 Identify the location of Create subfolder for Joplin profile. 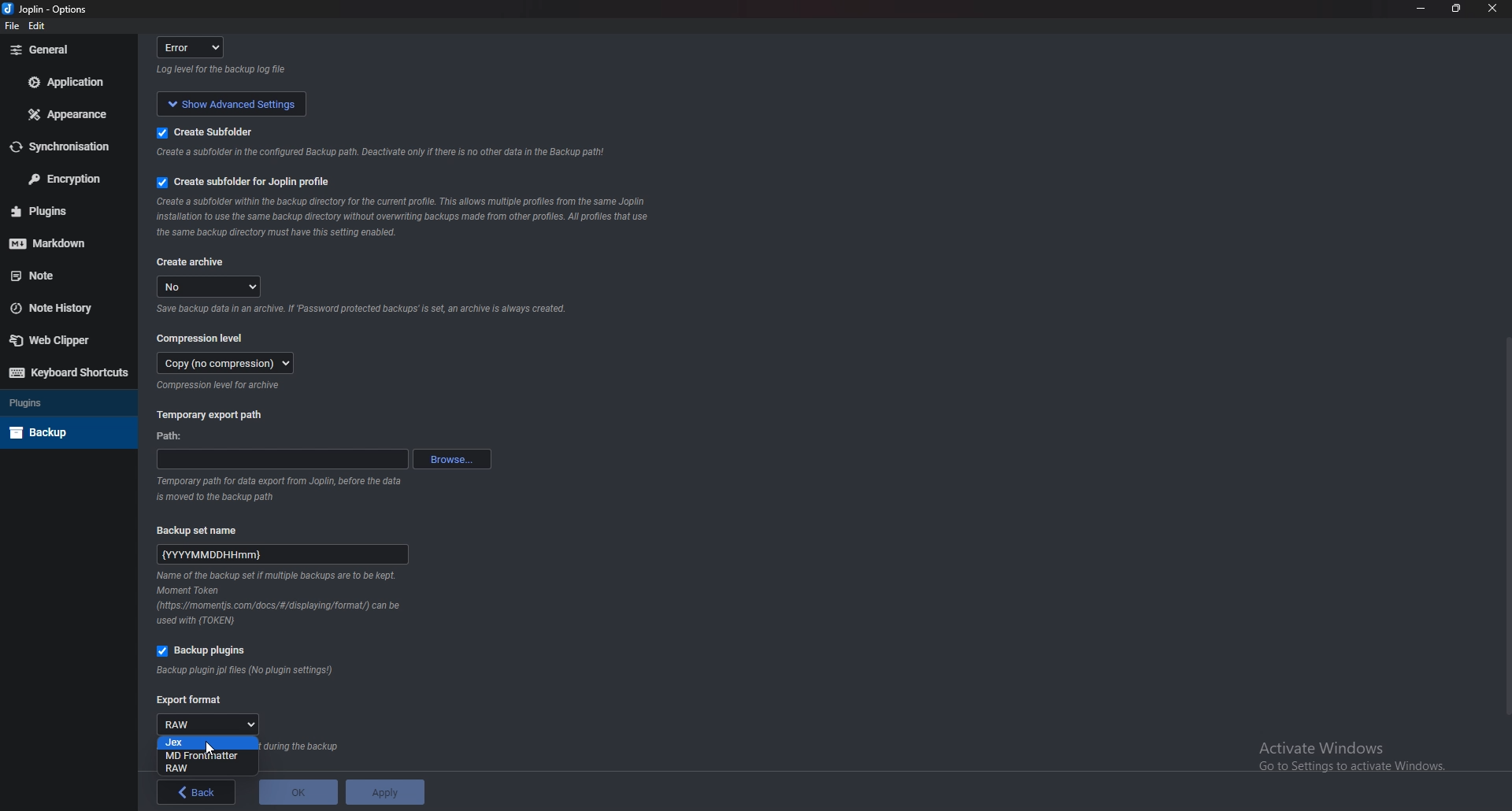
(247, 182).